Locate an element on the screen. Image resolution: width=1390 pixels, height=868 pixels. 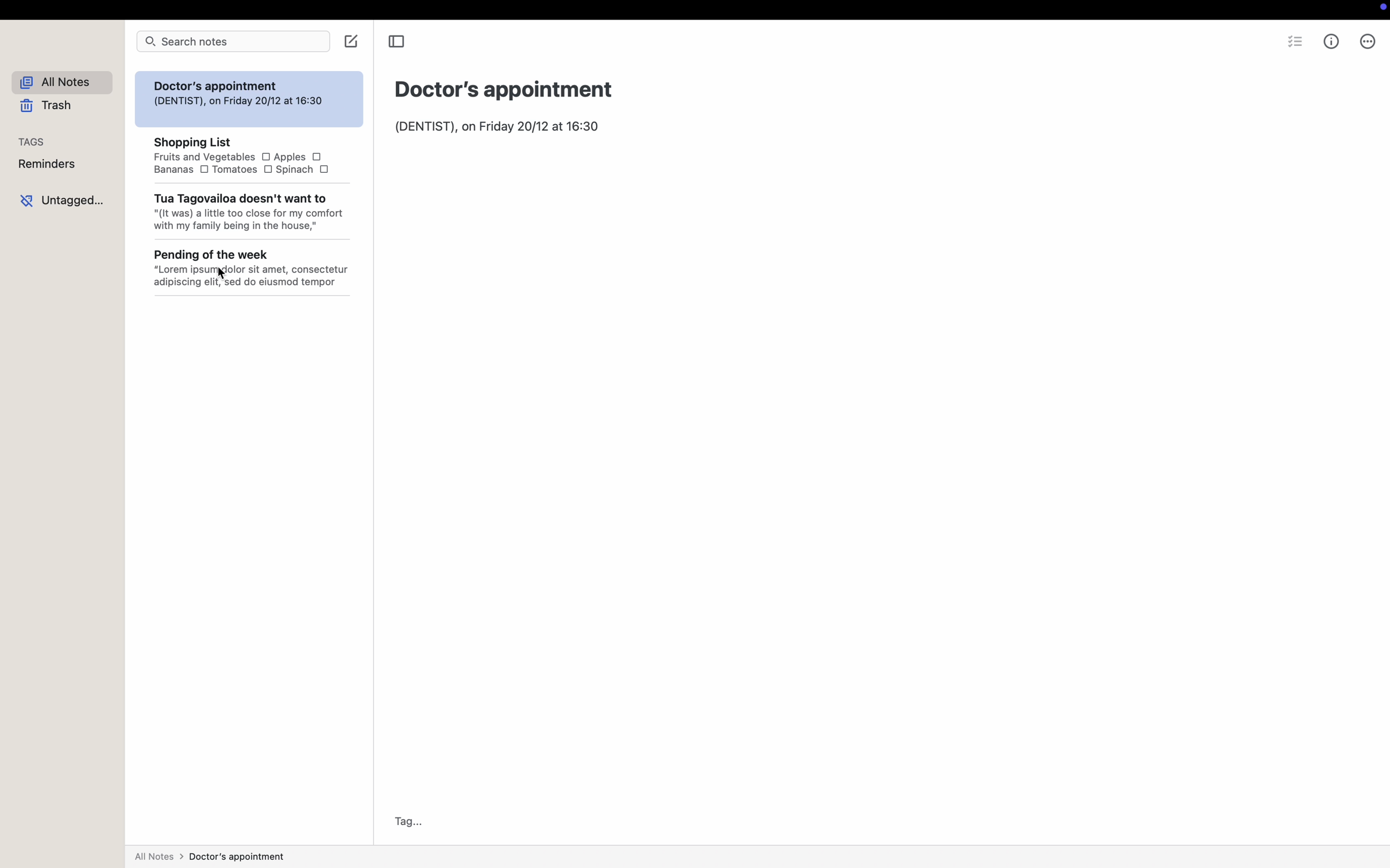
Doctor's appointment
(DENTIST), on Friday 20/12 at 16:30 is located at coordinates (251, 100).